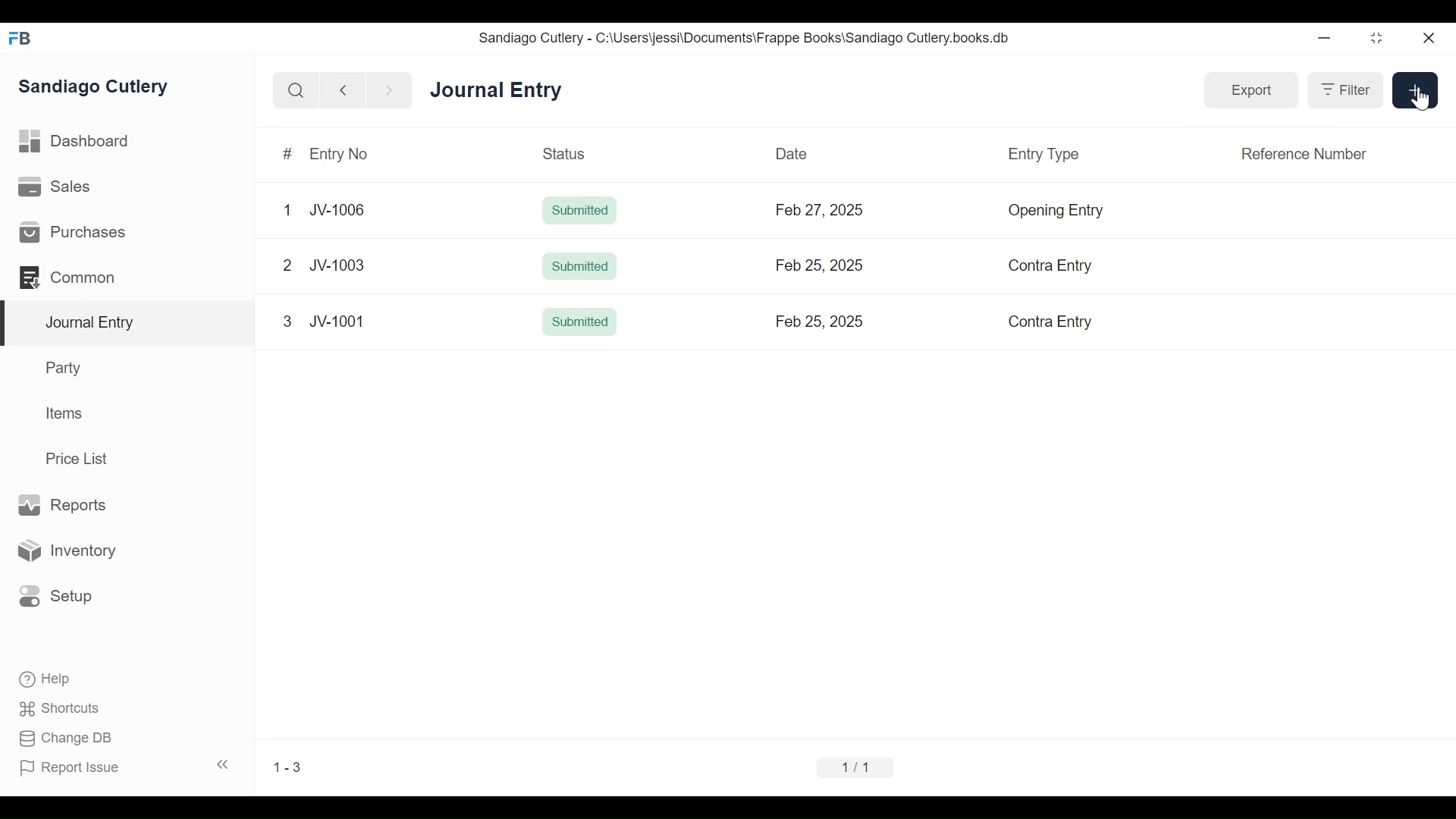 The height and width of the screenshot is (819, 1456). What do you see at coordinates (580, 324) in the screenshot?
I see `Submitted` at bounding box center [580, 324].